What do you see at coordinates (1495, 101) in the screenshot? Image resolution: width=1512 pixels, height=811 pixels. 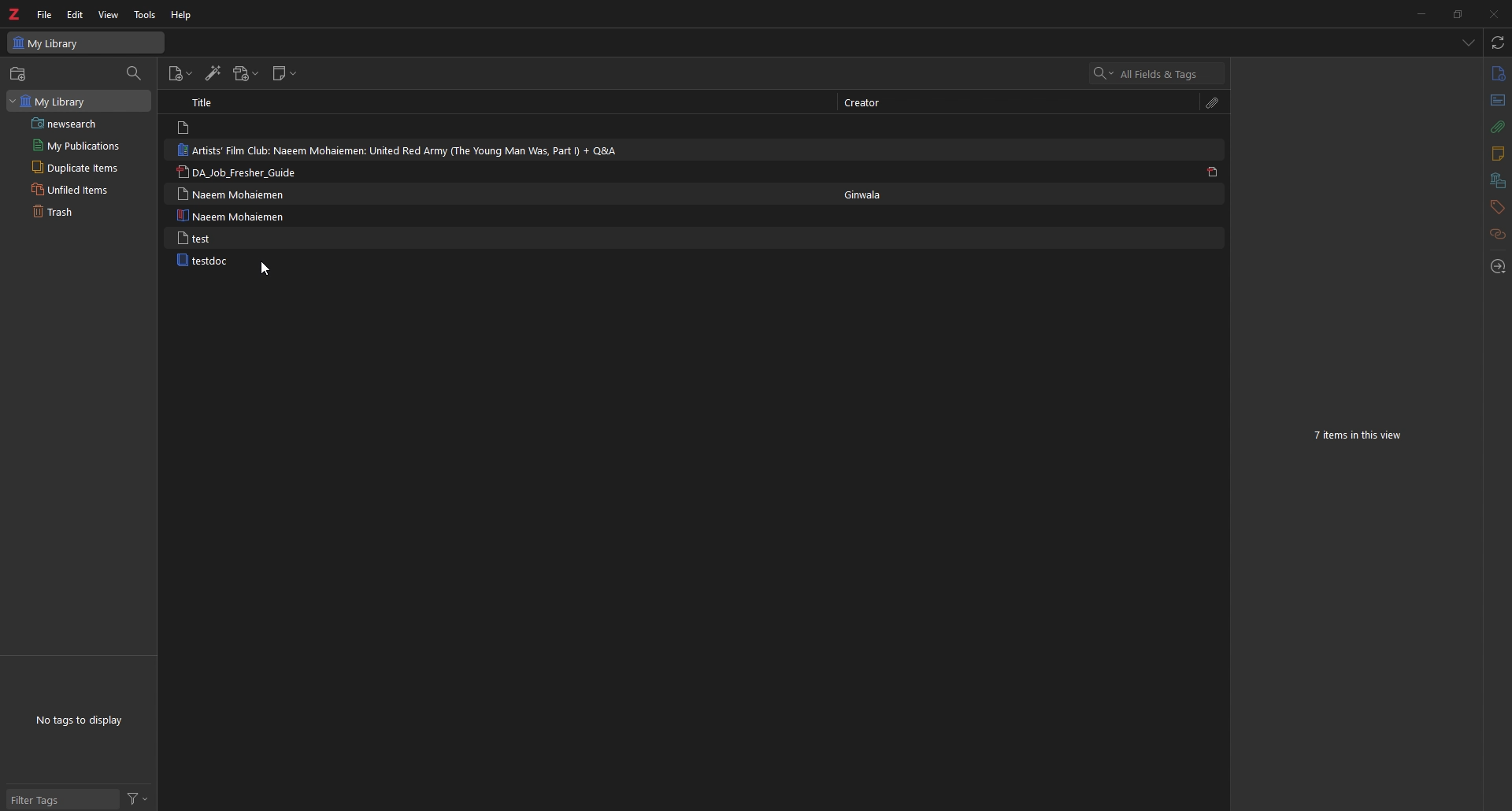 I see `abstract` at bounding box center [1495, 101].